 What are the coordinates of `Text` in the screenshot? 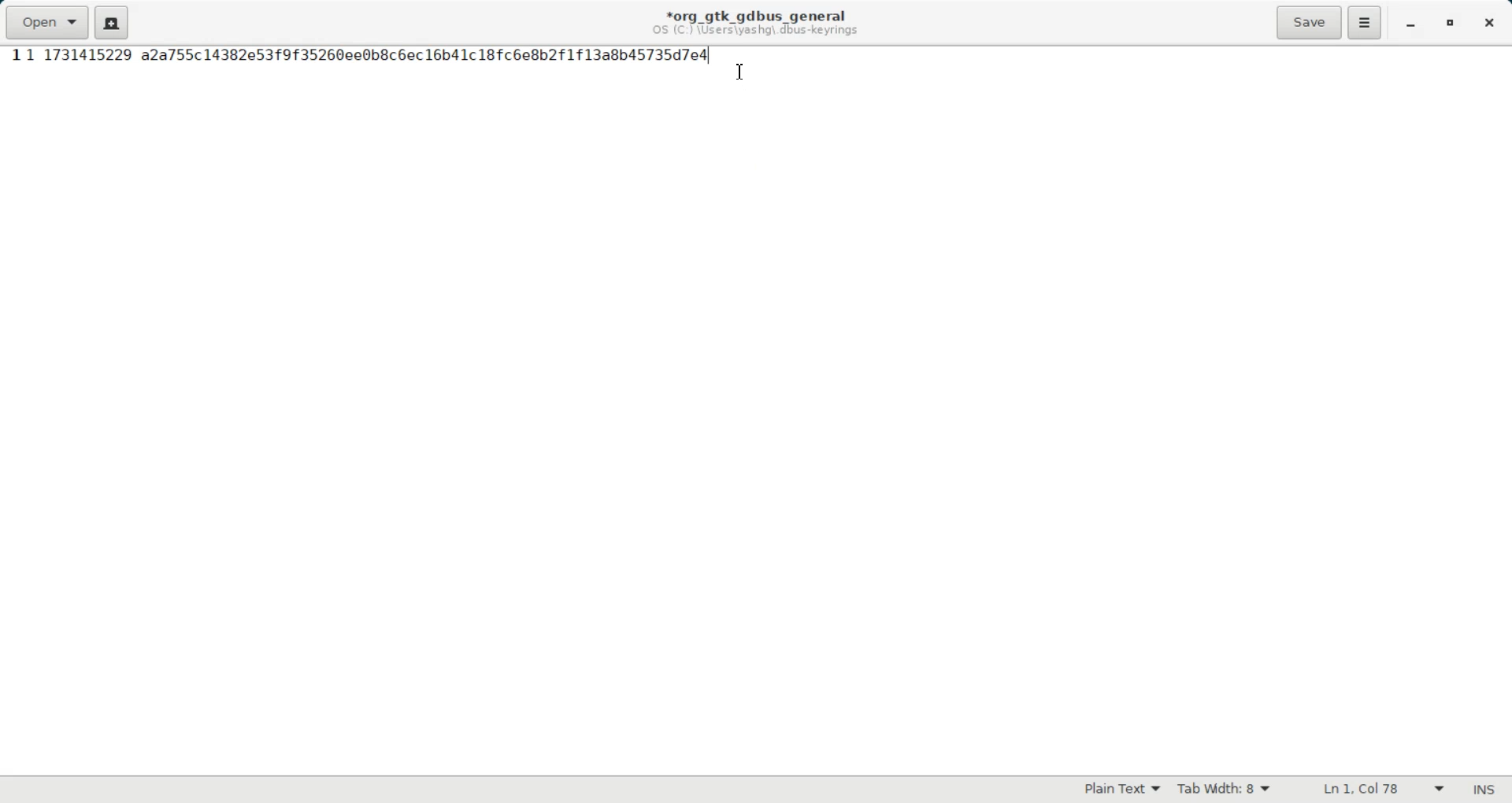 It's located at (1483, 790).